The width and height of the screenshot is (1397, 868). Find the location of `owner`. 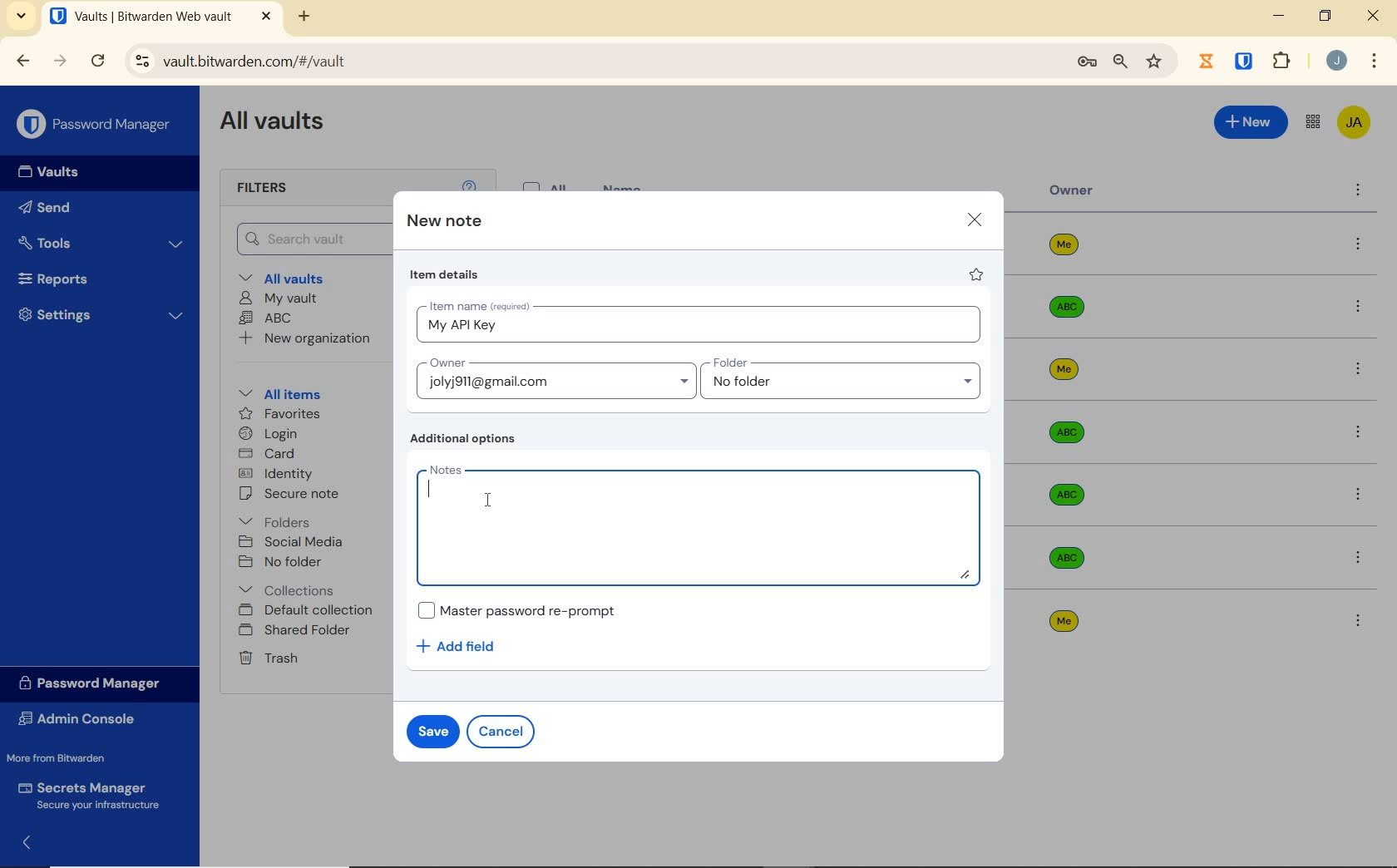

owner is located at coordinates (1072, 192).